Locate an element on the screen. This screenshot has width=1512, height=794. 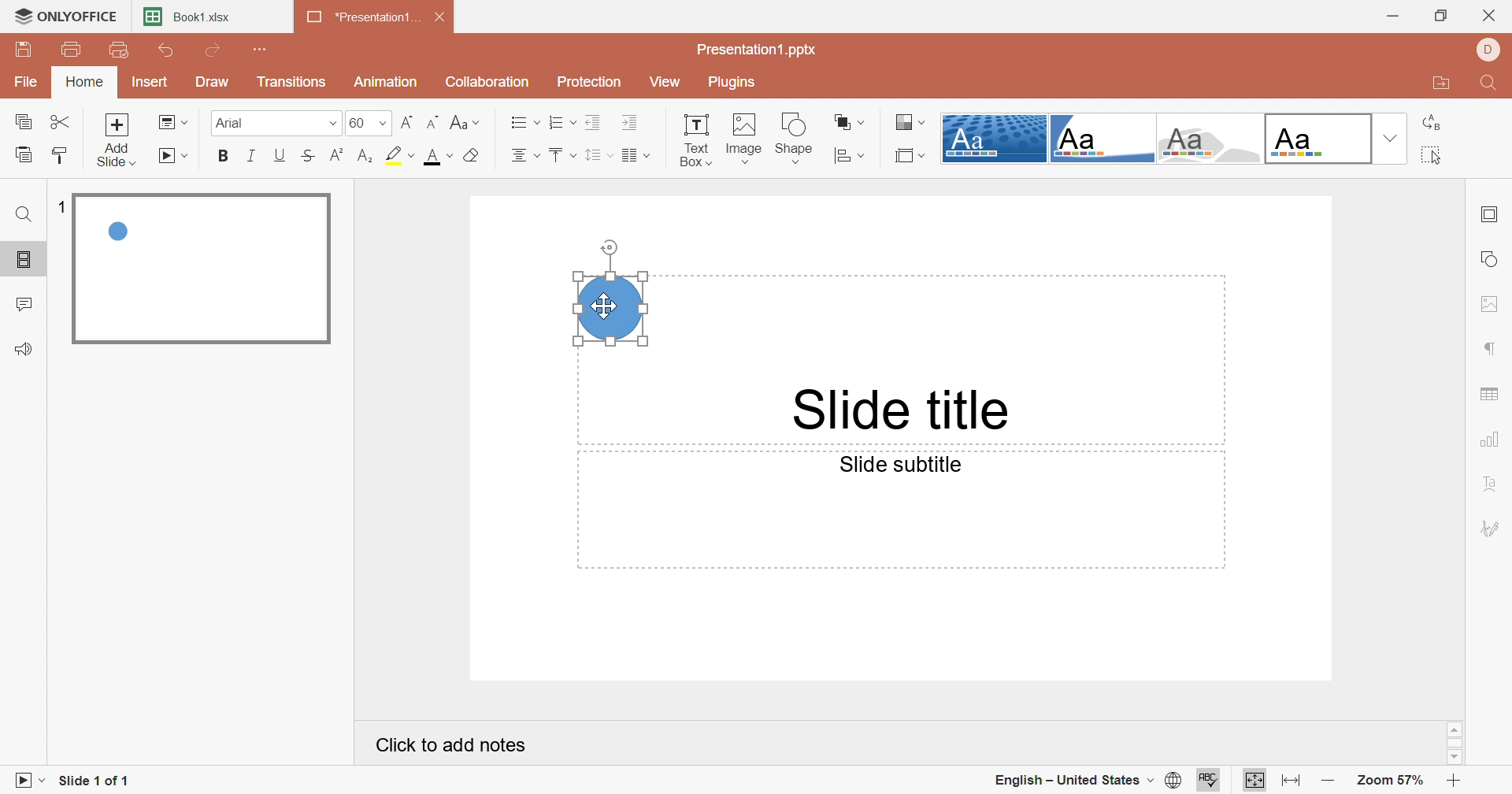
Font is located at coordinates (268, 121).